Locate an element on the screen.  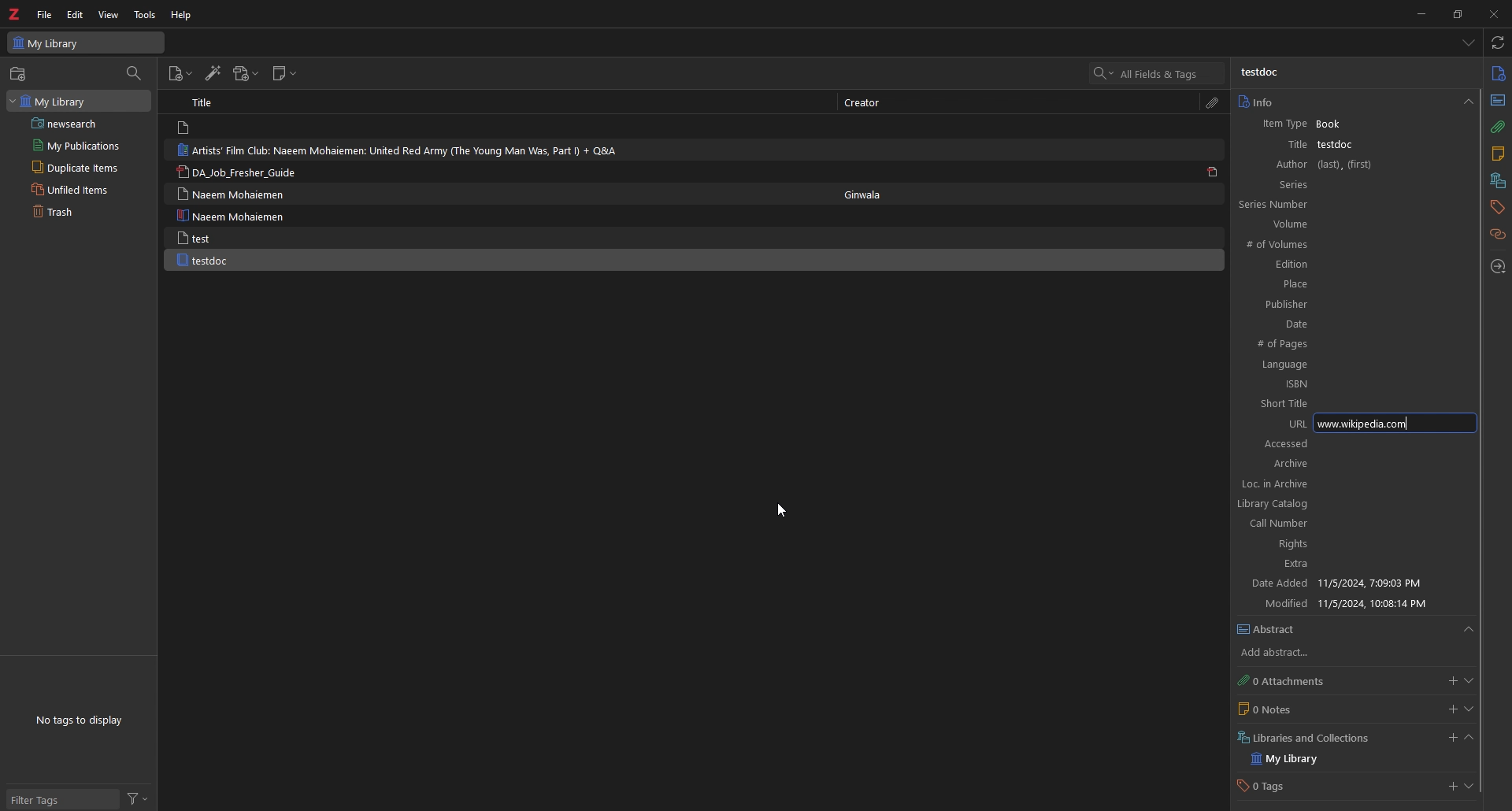
Libraries and Collections is located at coordinates (1310, 738).